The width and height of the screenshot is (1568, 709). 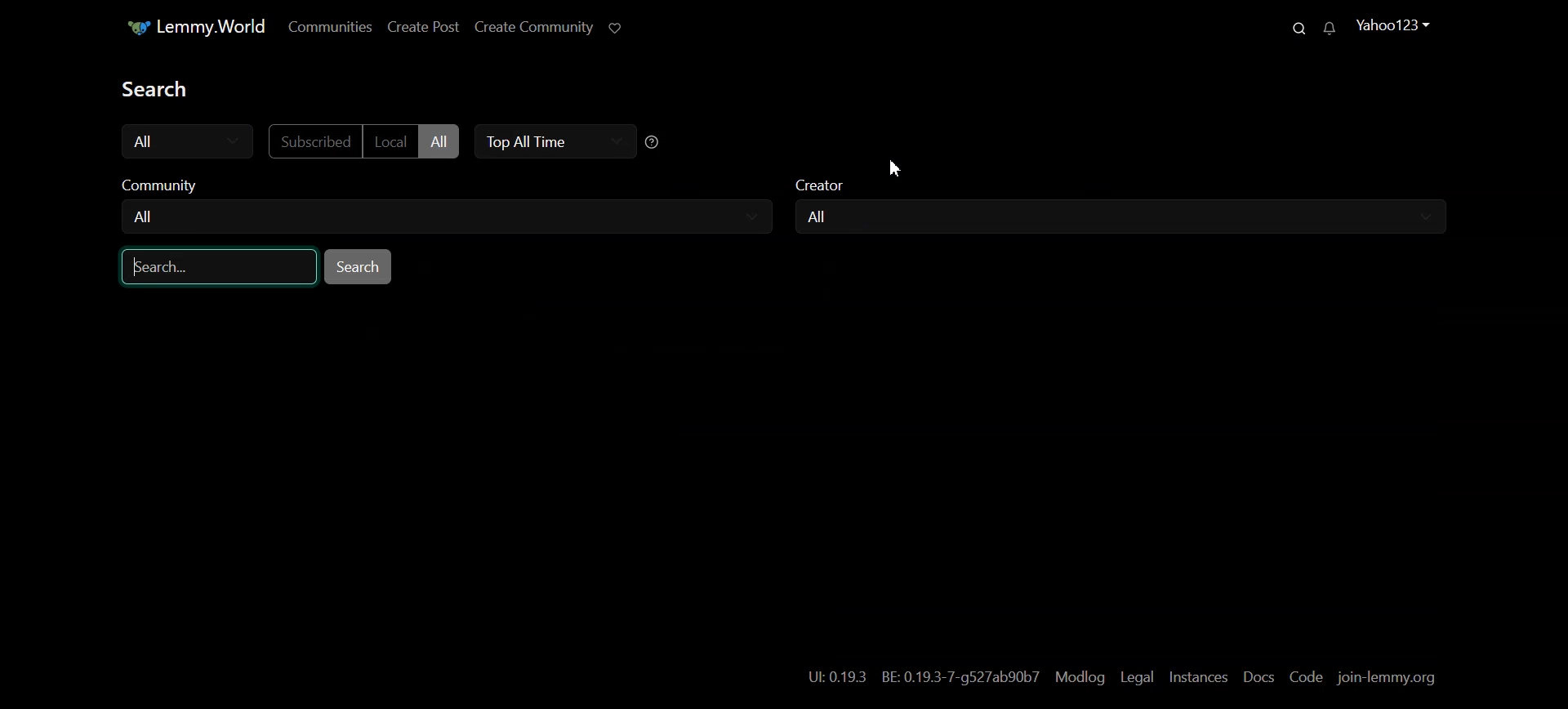 I want to click on Instances, so click(x=1199, y=679).